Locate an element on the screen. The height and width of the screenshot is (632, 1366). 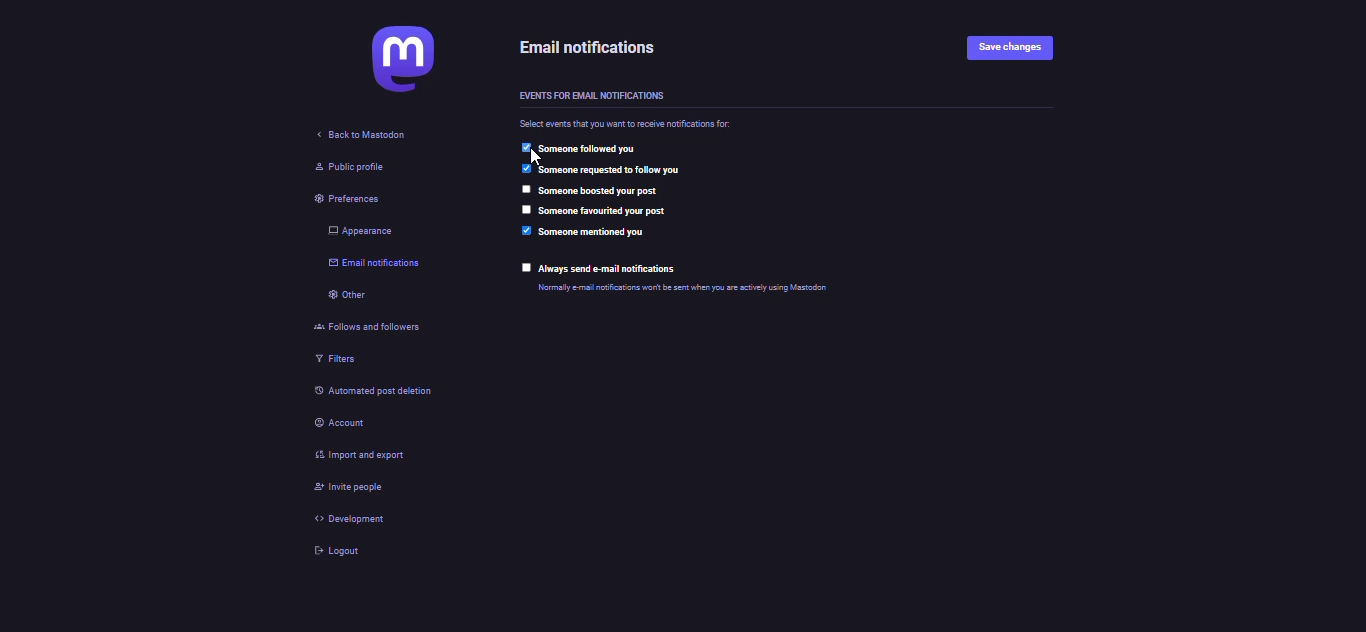
back to mastodon is located at coordinates (353, 137).